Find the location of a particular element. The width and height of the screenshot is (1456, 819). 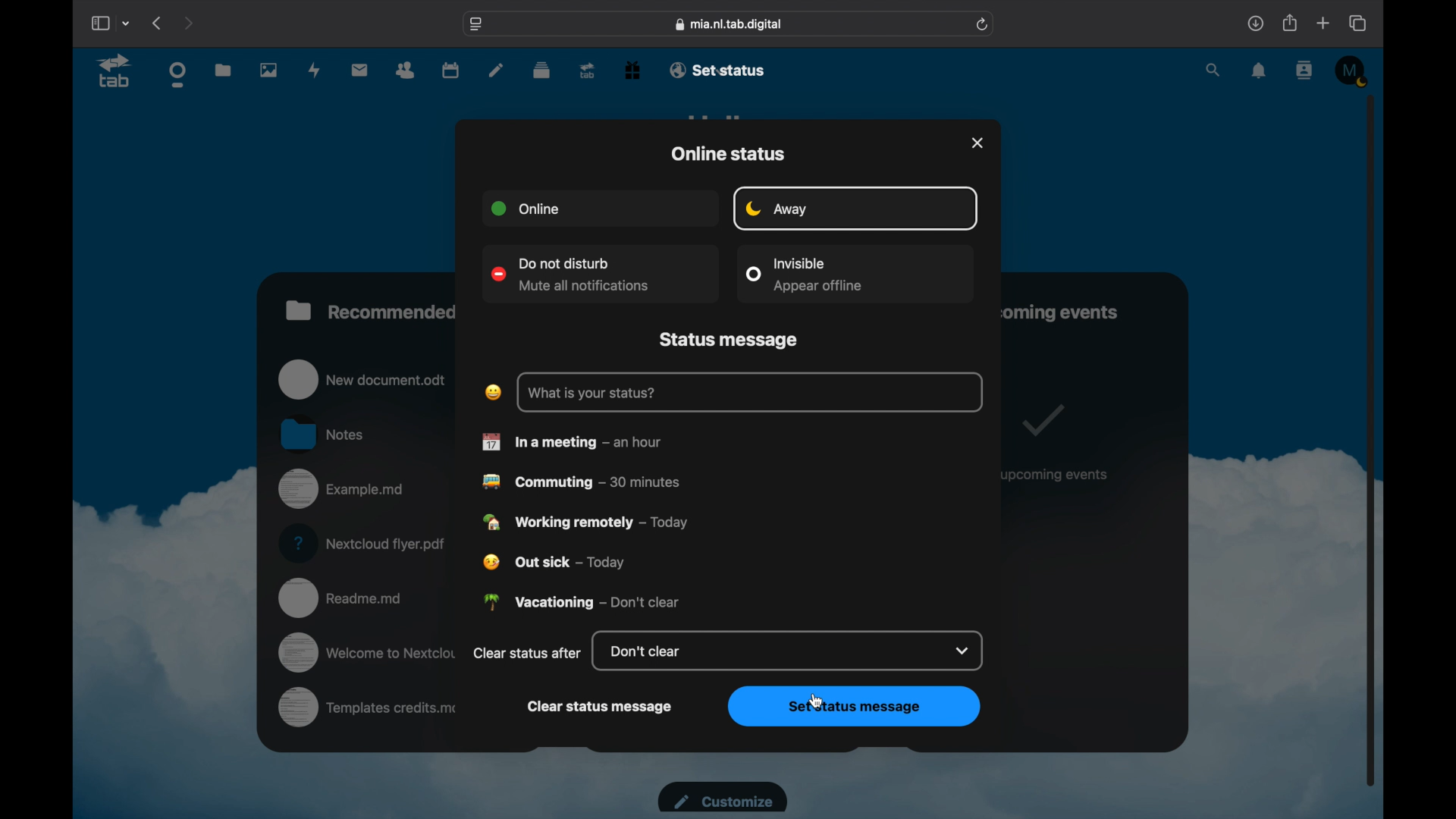

activity is located at coordinates (317, 70).